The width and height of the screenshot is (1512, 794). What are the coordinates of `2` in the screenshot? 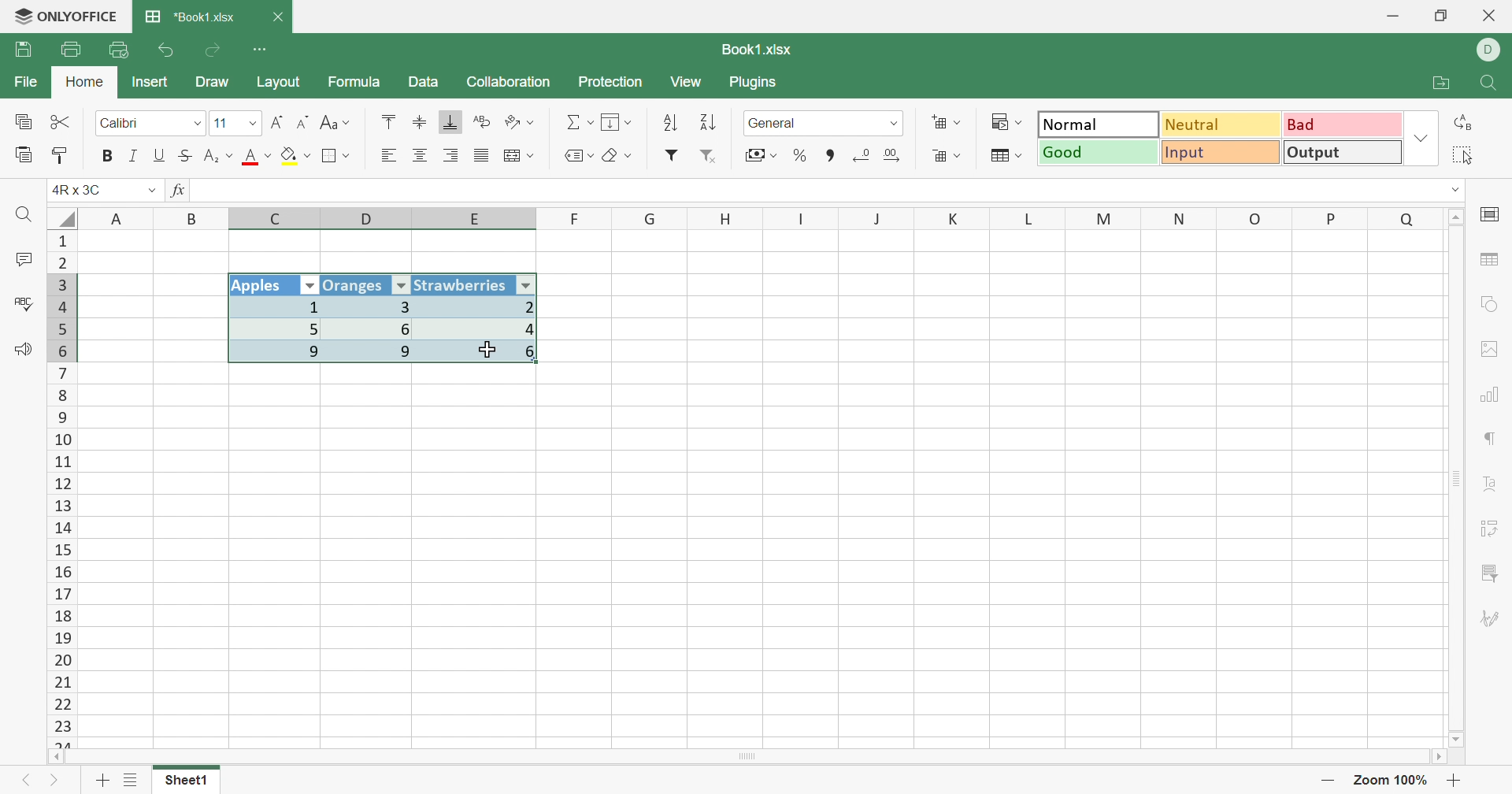 It's located at (484, 306).